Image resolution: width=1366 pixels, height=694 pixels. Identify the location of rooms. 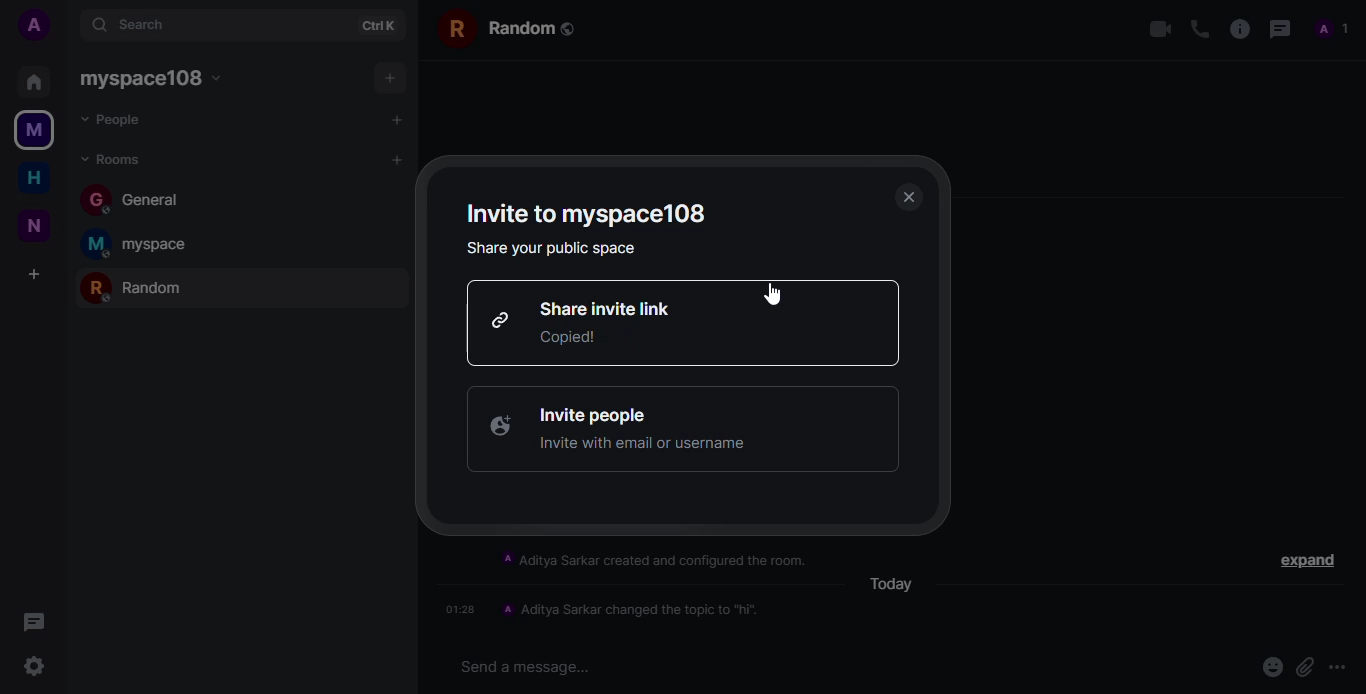
(113, 161).